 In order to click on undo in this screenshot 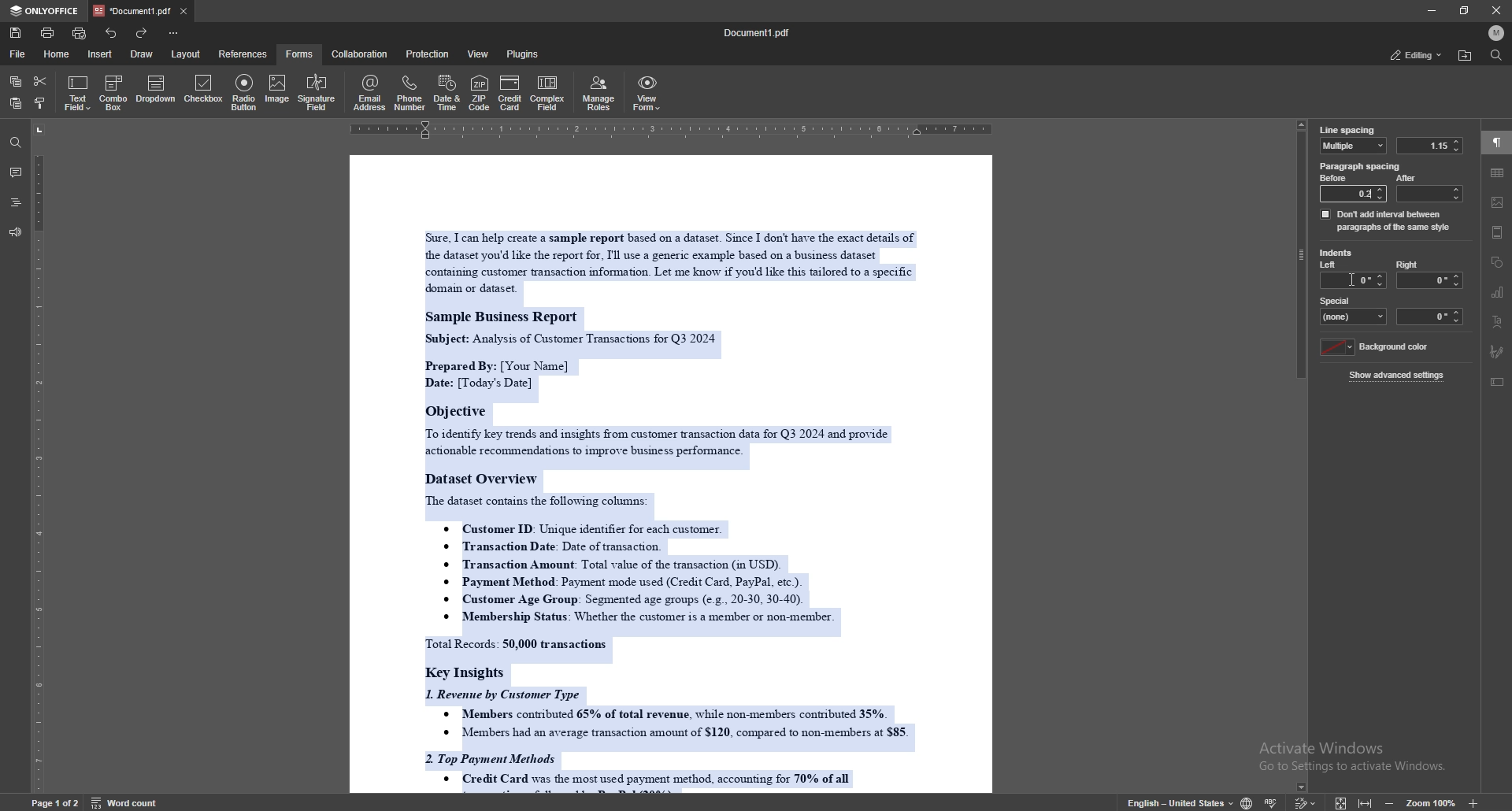, I will do `click(112, 33)`.